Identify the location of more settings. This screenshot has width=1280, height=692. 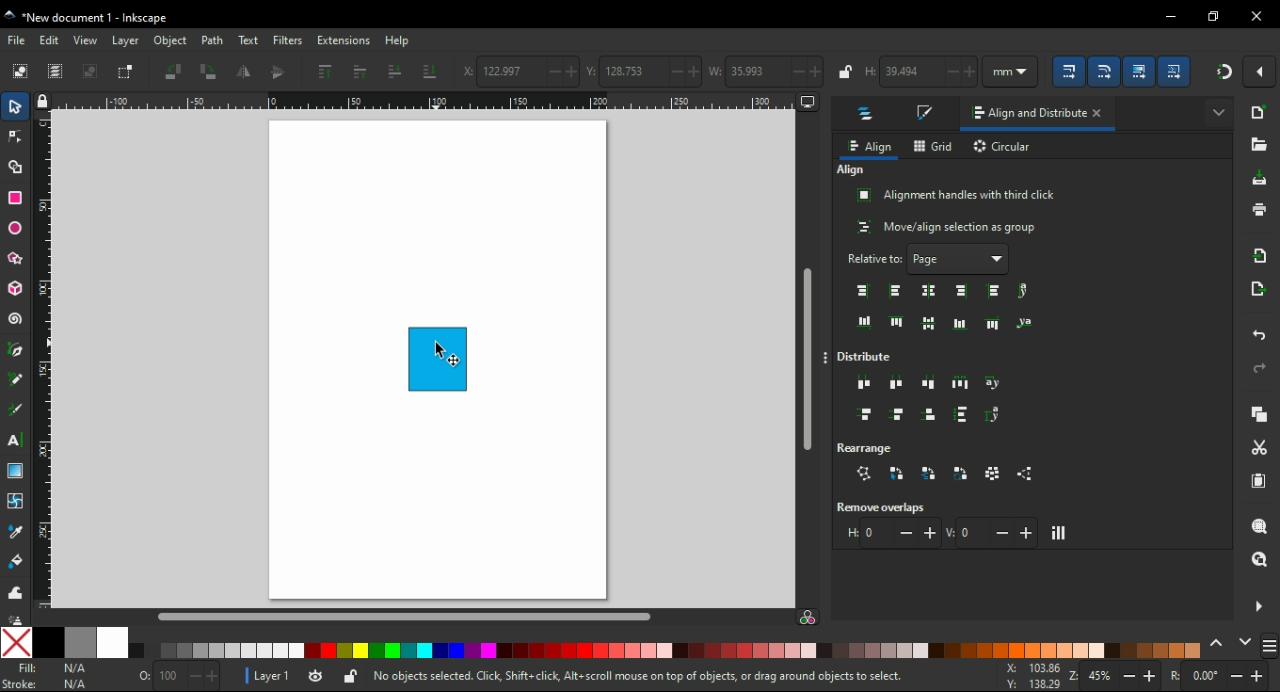
(1257, 606).